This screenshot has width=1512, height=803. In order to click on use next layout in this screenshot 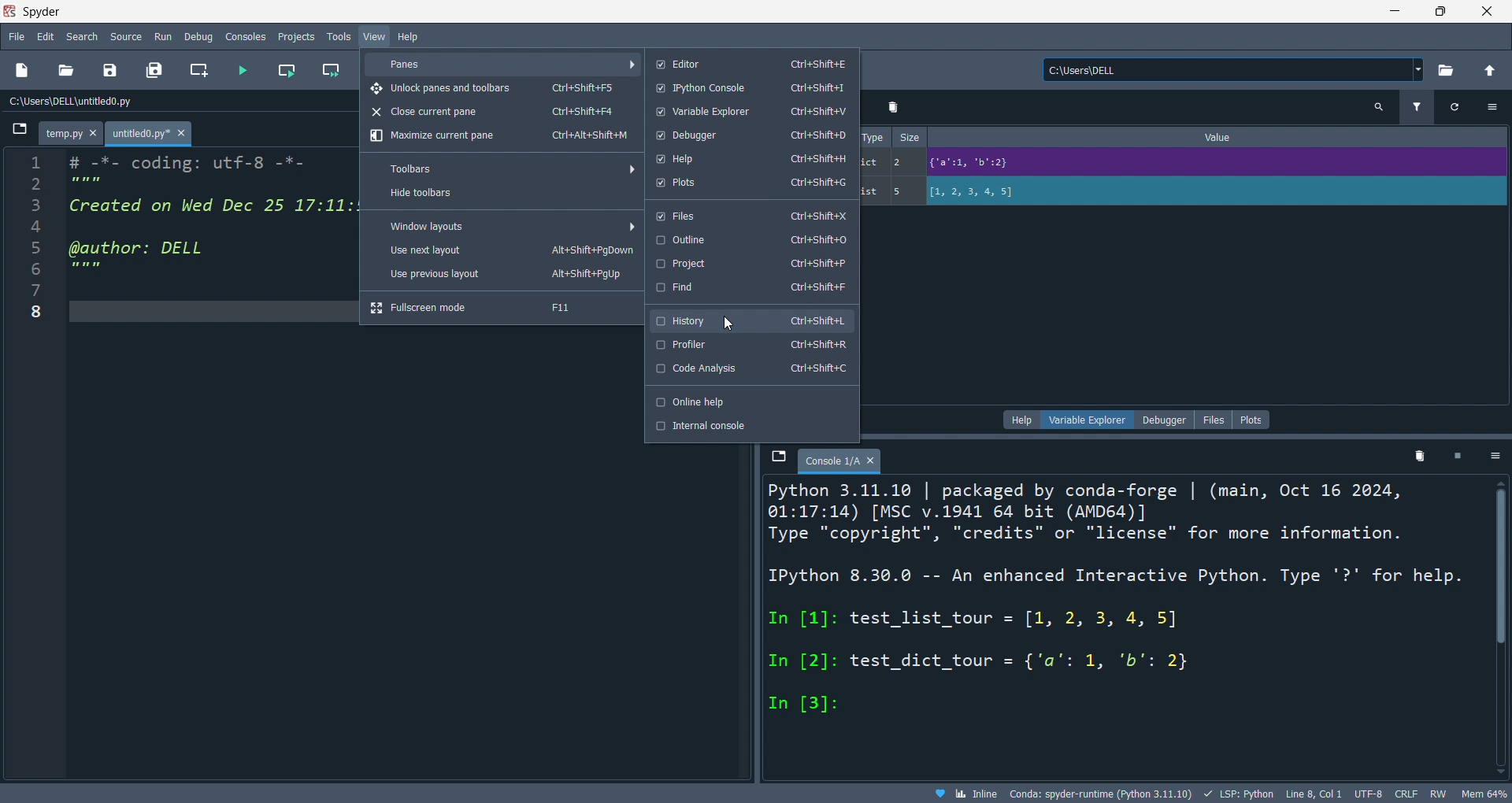, I will do `click(503, 252)`.